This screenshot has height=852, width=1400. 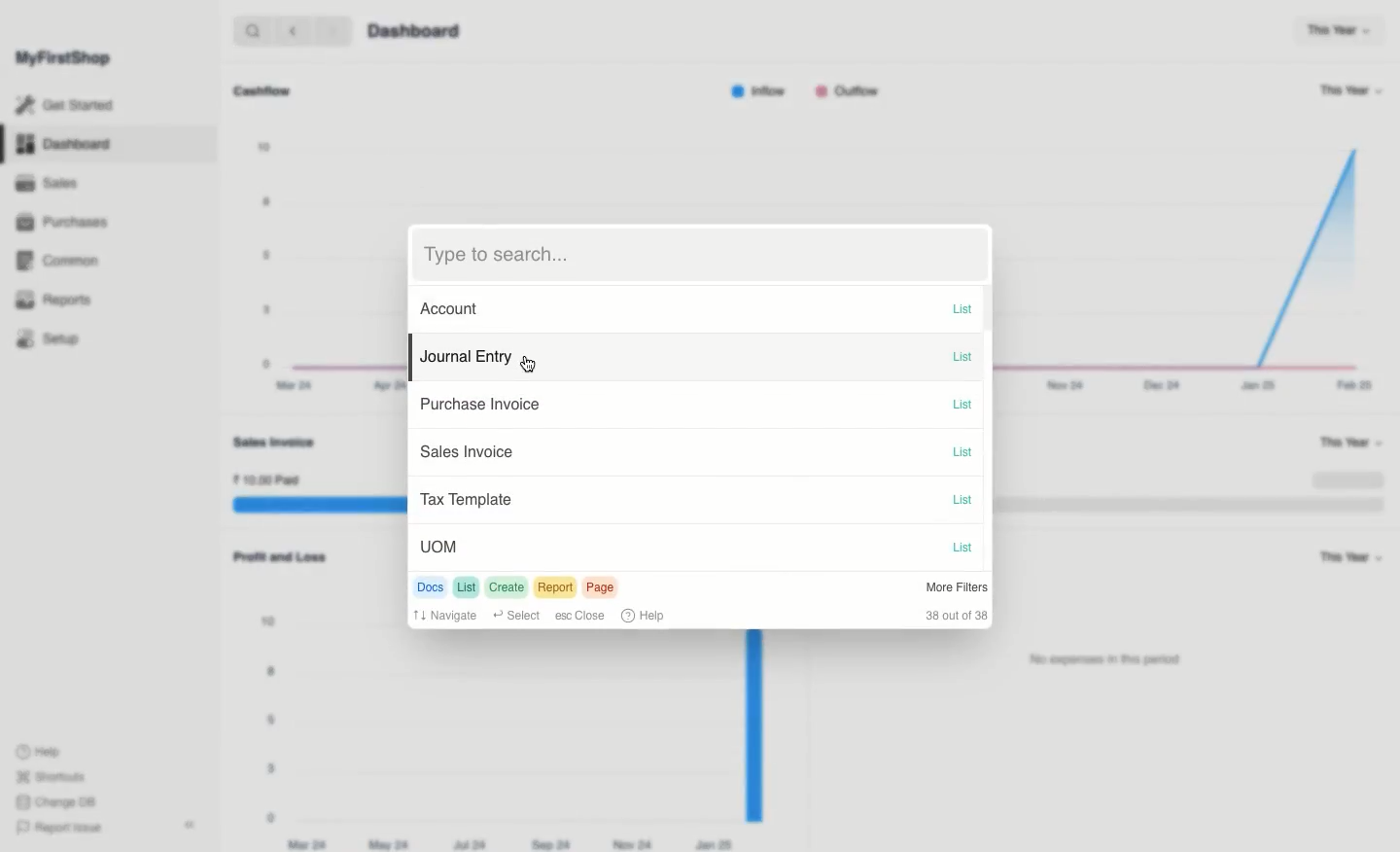 I want to click on Close, so click(x=577, y=616).